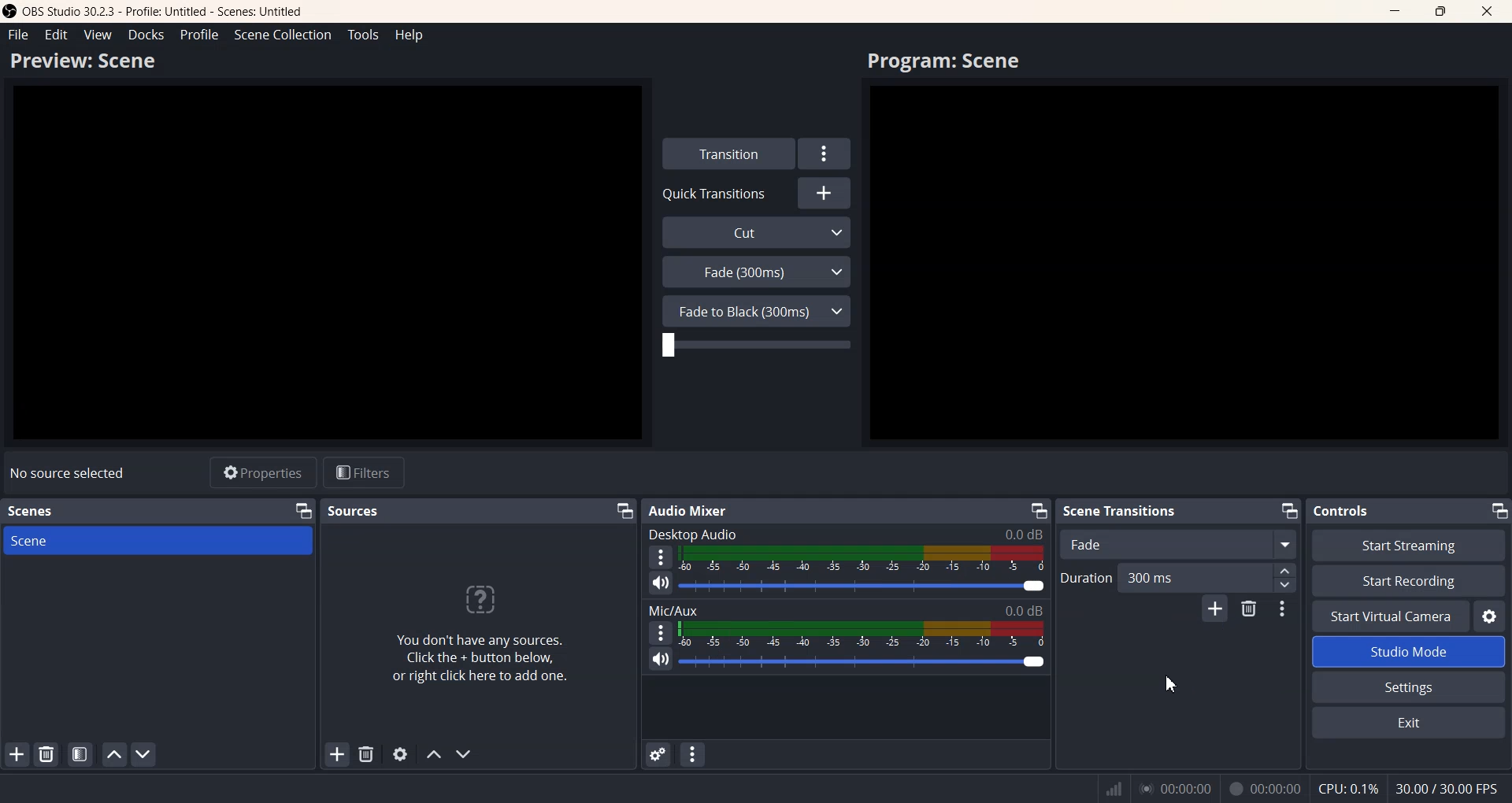 This screenshot has width=1512, height=803. I want to click on Mute/ Unmute, so click(662, 583).